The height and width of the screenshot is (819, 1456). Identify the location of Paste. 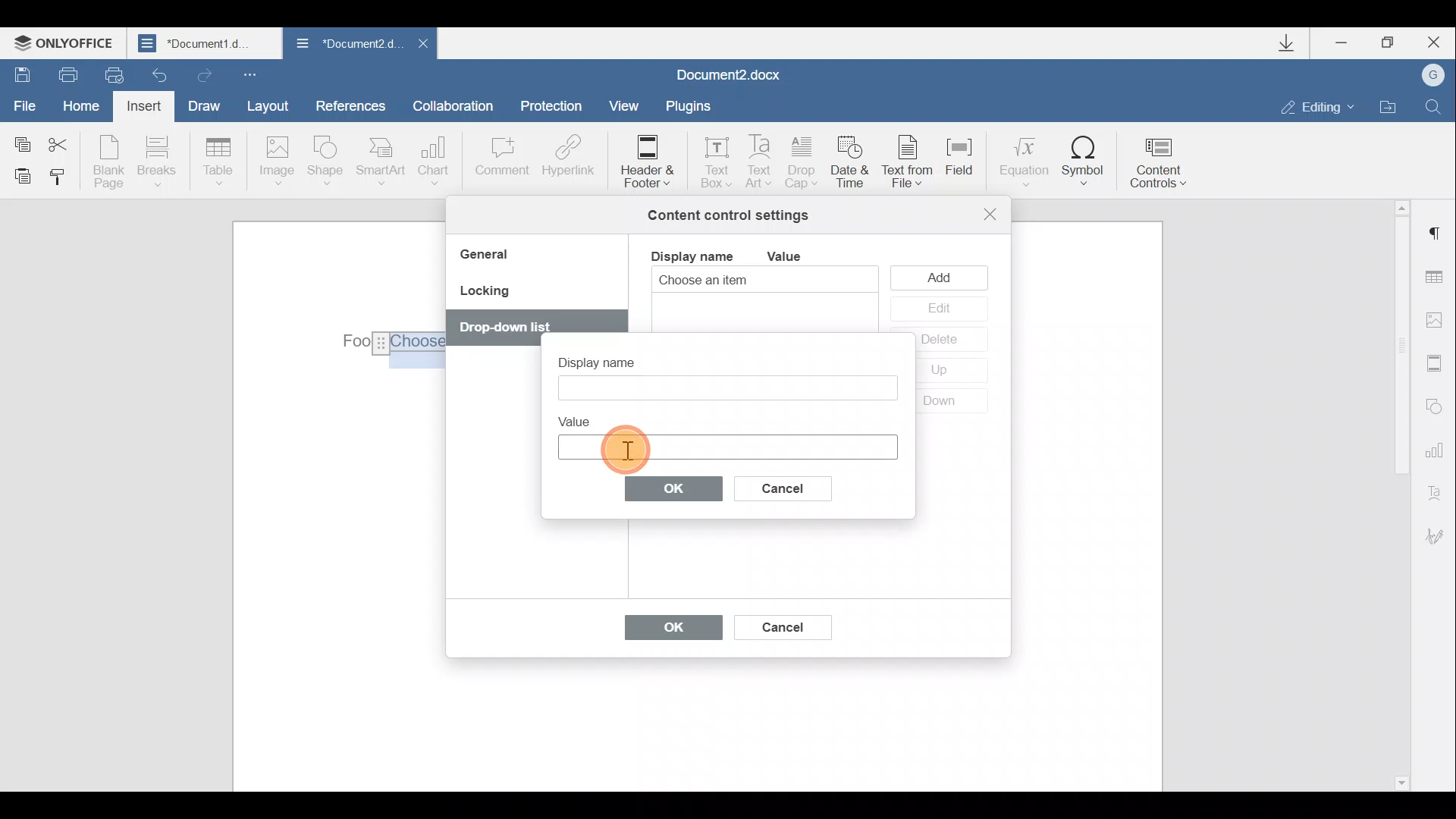
(17, 175).